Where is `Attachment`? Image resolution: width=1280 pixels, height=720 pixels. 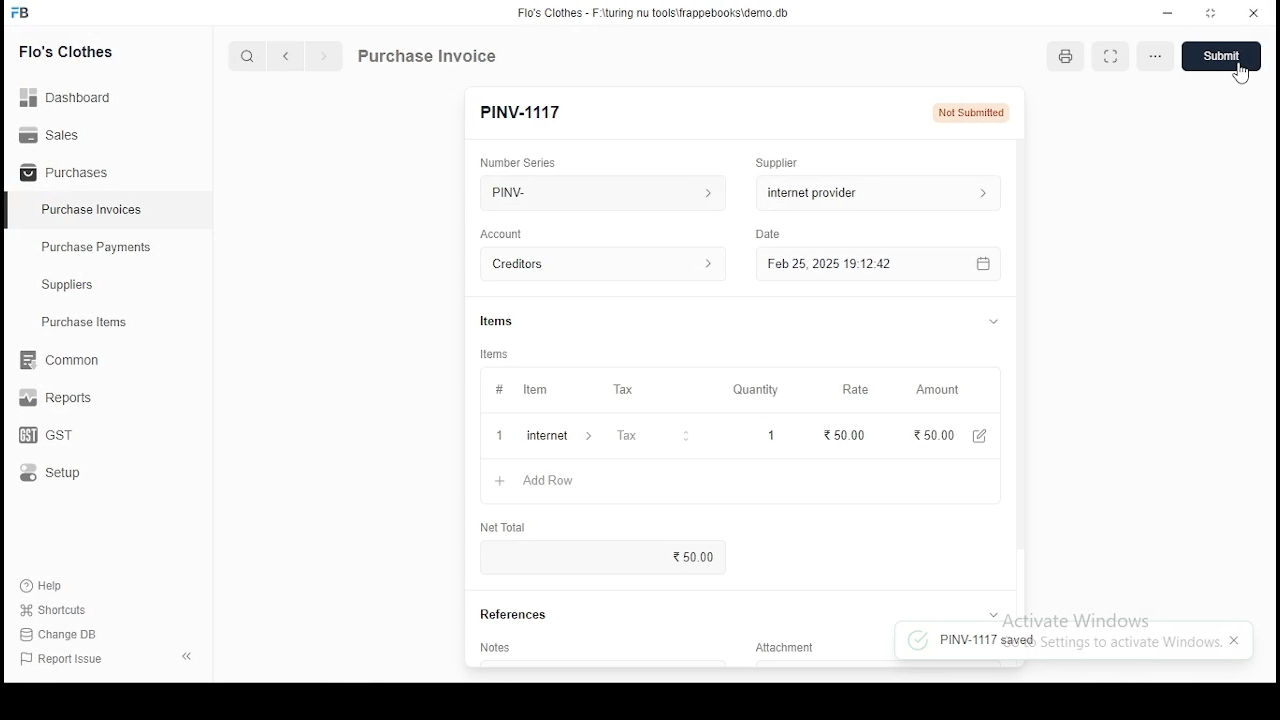
Attachment is located at coordinates (788, 651).